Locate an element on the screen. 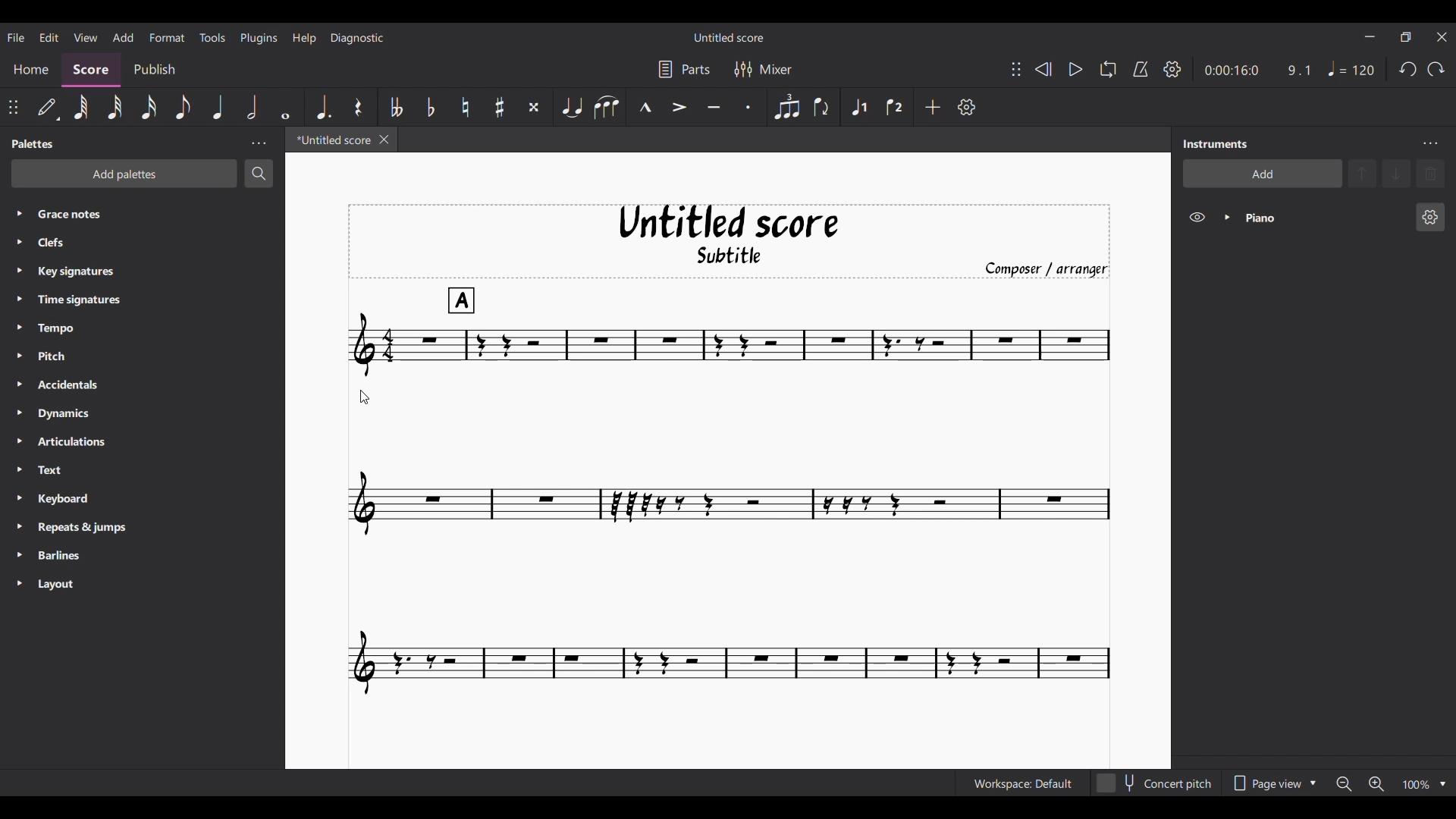 This screenshot has width=1456, height=819. Delete is located at coordinates (1431, 174).